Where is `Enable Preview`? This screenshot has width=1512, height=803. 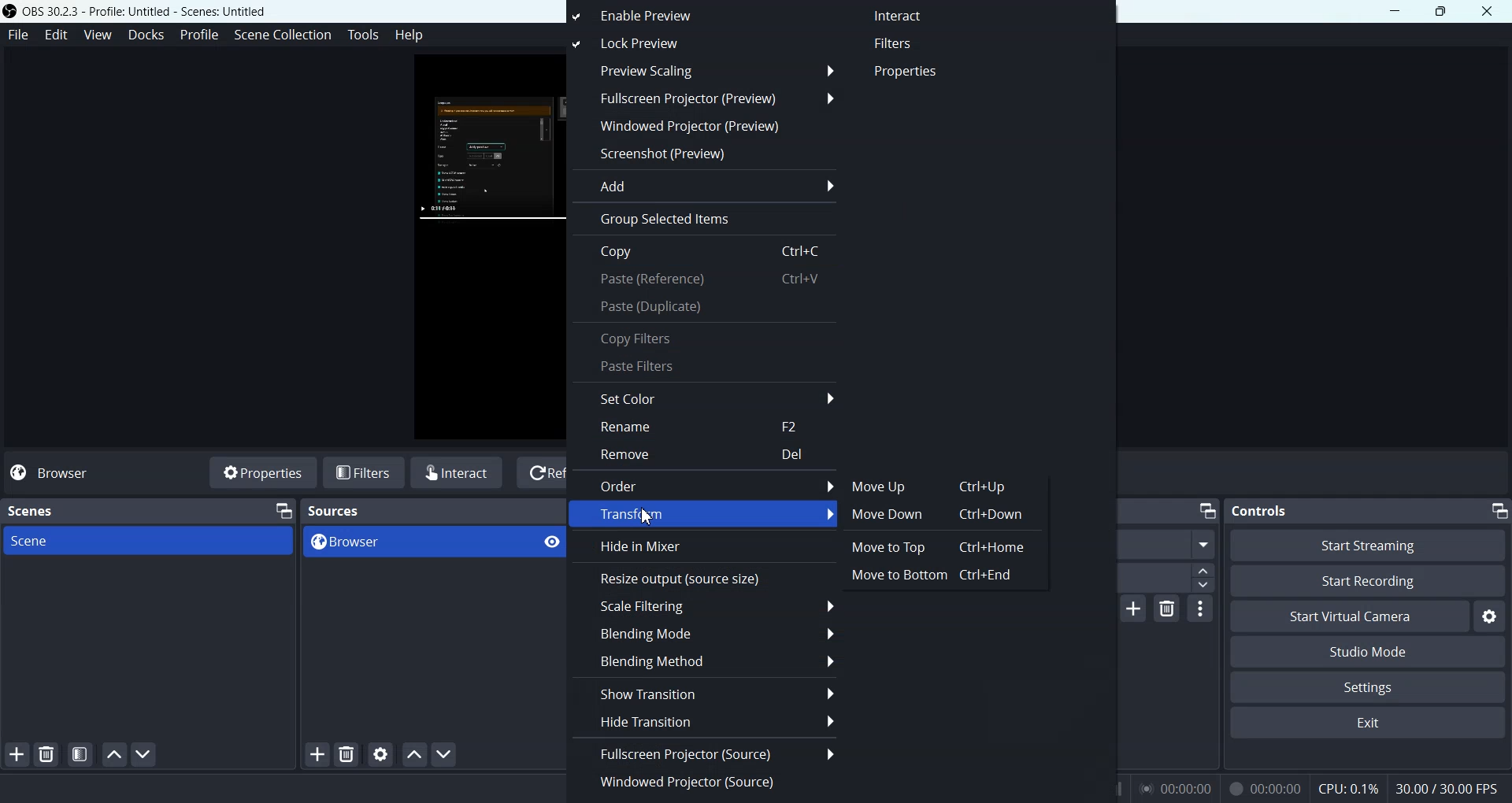 Enable Preview is located at coordinates (666, 16).